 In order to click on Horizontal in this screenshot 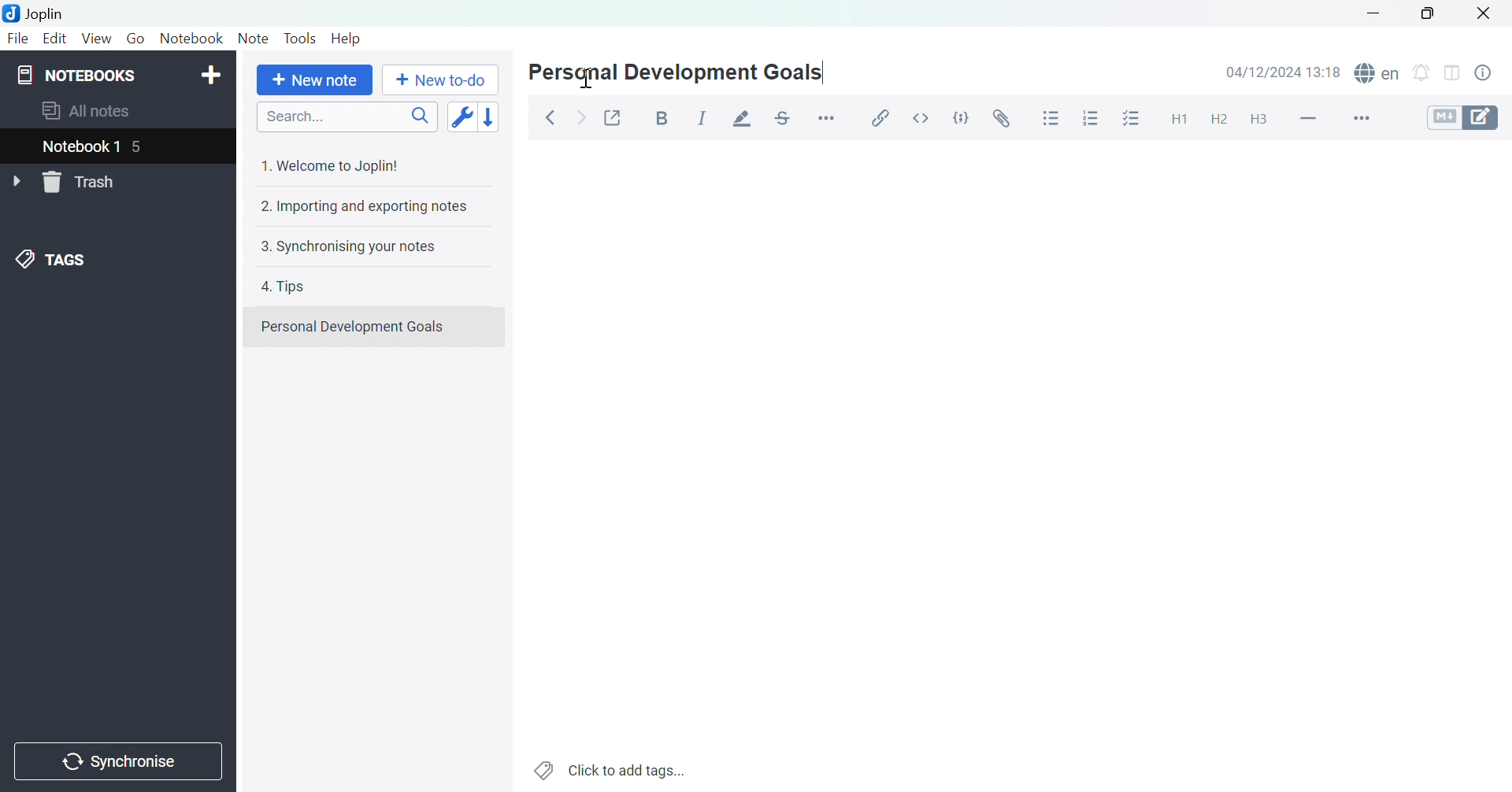, I will do `click(828, 117)`.